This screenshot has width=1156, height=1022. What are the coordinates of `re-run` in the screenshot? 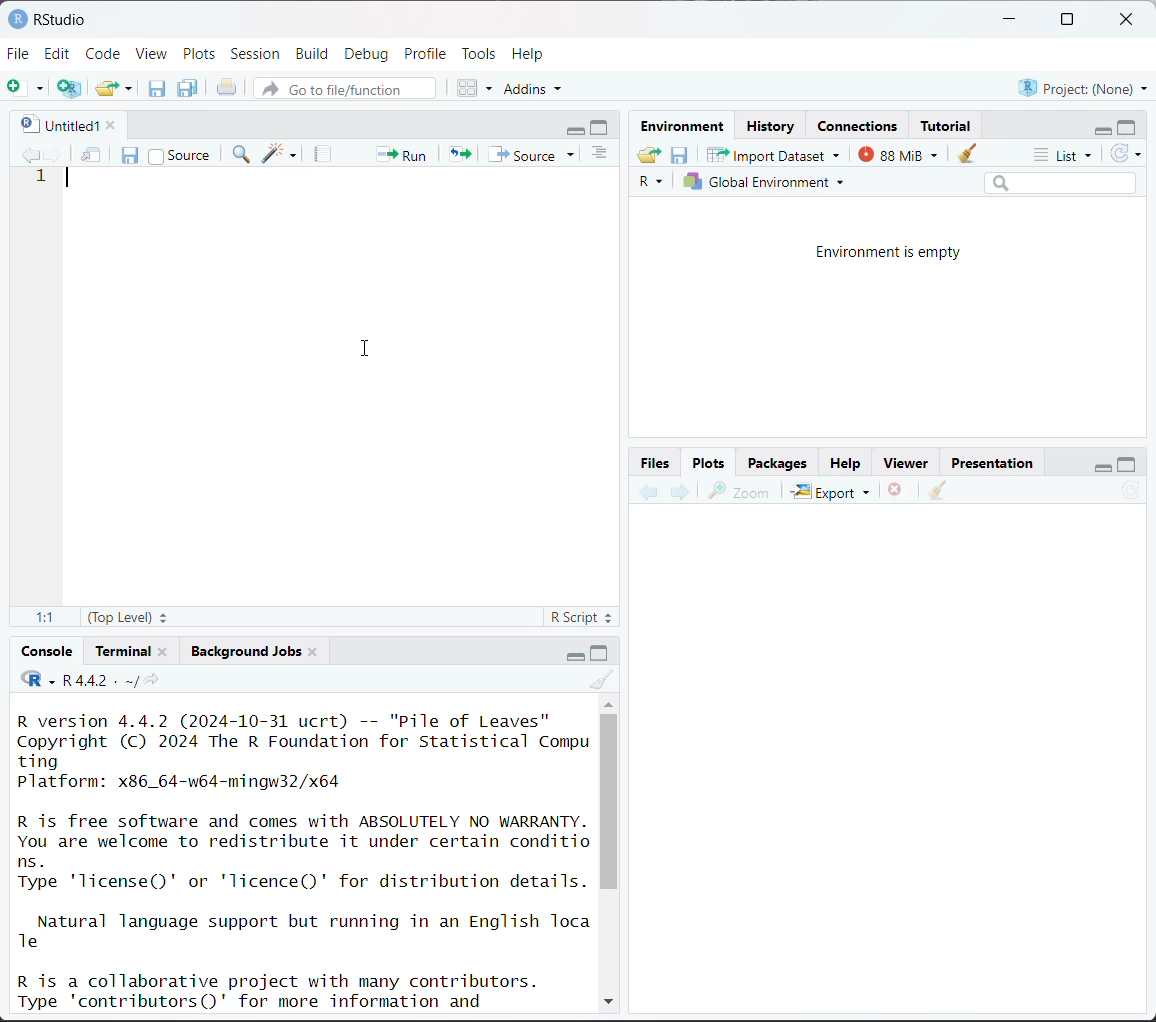 It's located at (458, 153).